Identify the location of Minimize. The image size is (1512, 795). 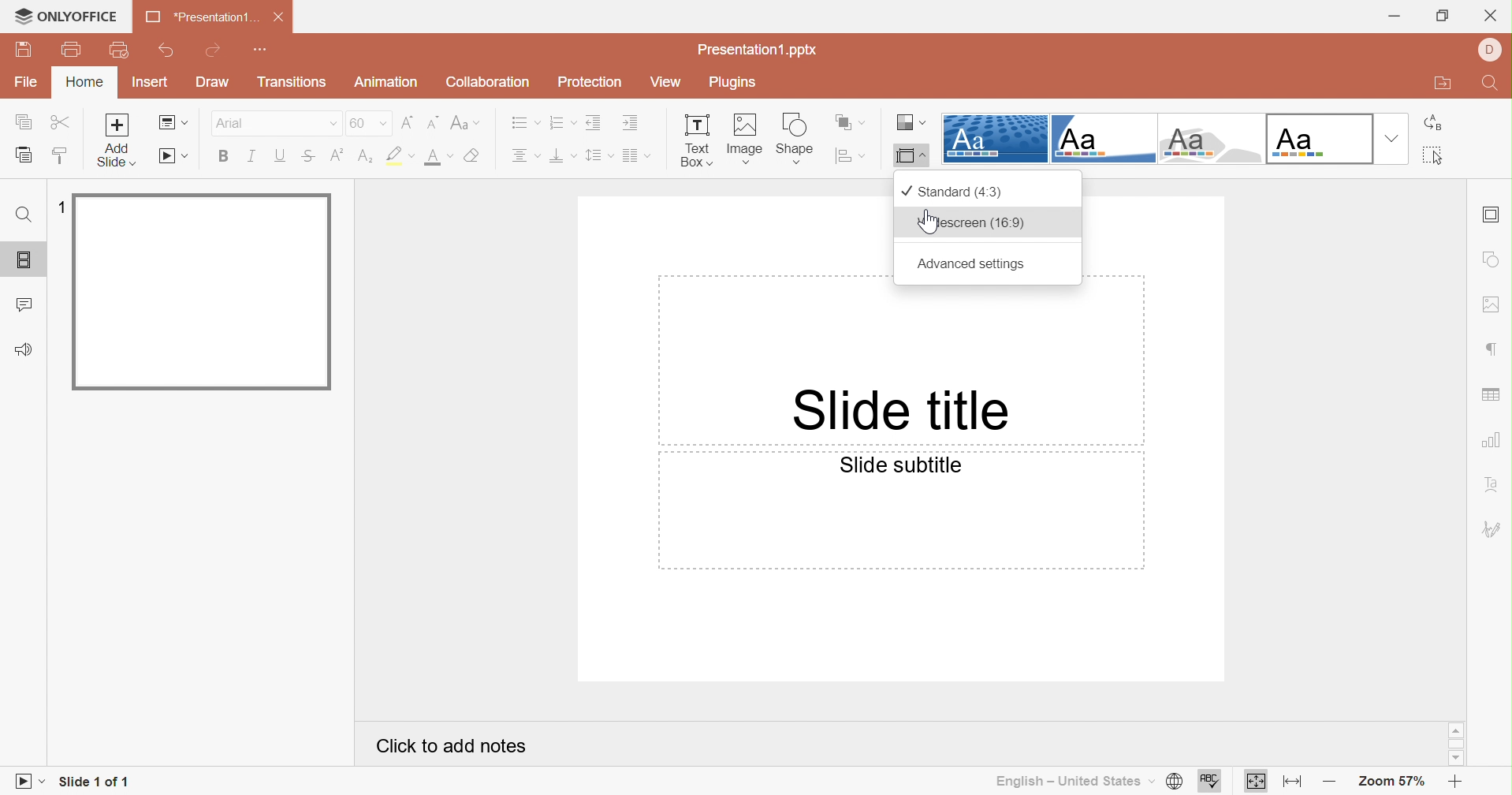
(1397, 17).